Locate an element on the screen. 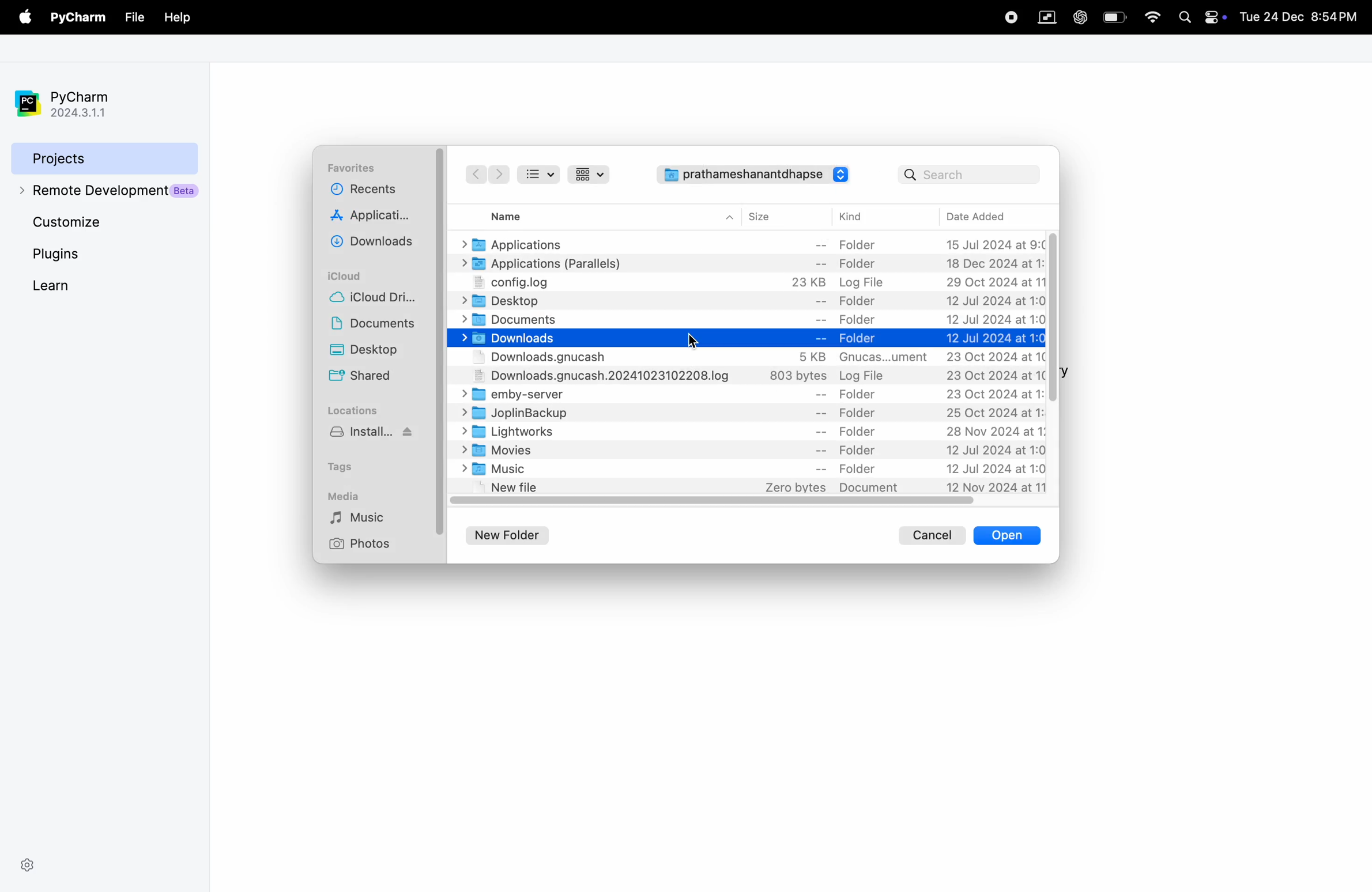 The height and width of the screenshot is (892, 1372). media is located at coordinates (346, 495).